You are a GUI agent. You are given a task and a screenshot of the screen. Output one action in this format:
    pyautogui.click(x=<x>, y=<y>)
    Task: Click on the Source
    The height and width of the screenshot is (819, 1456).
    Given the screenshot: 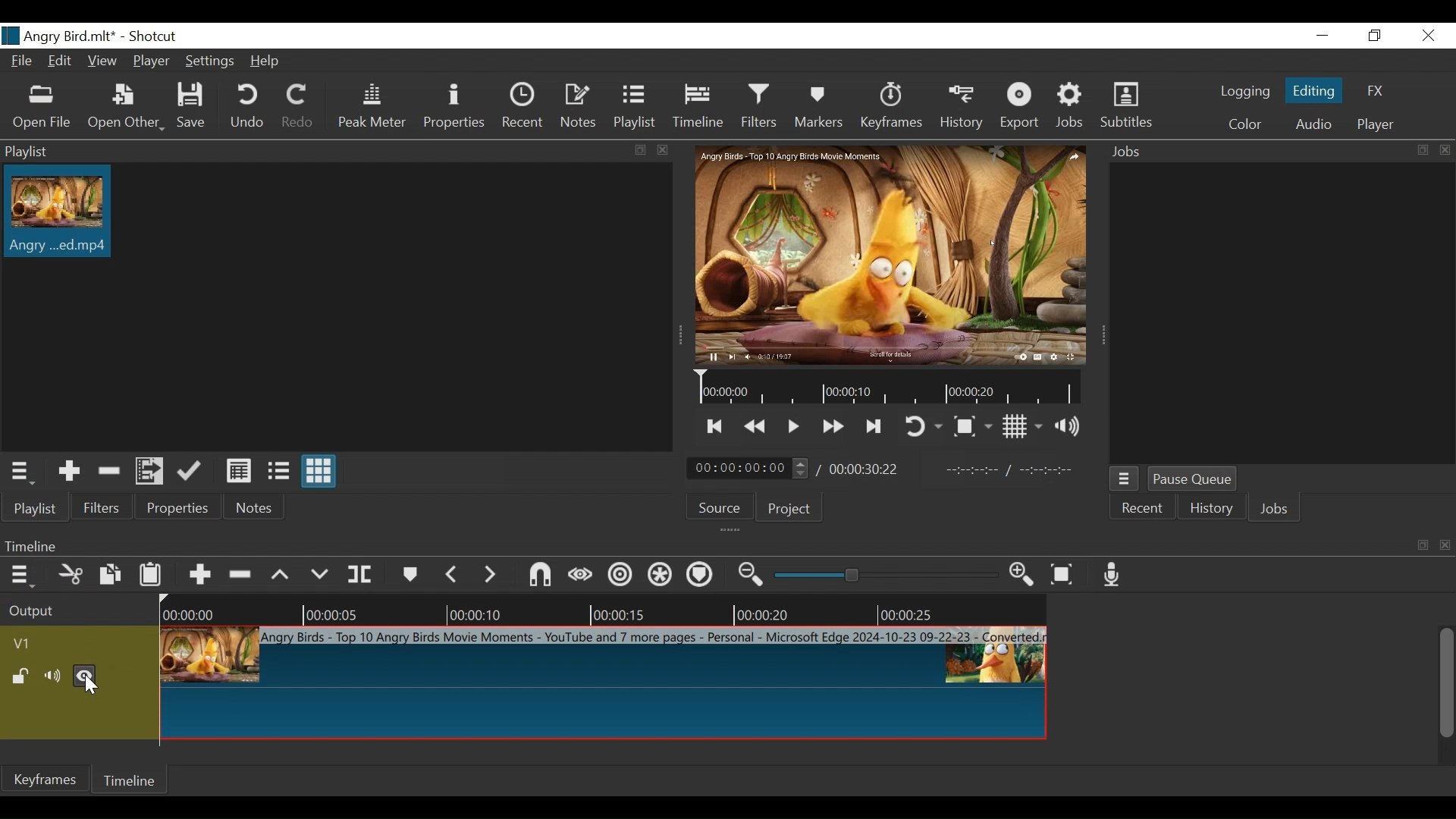 What is the action you would take?
    pyautogui.click(x=718, y=507)
    